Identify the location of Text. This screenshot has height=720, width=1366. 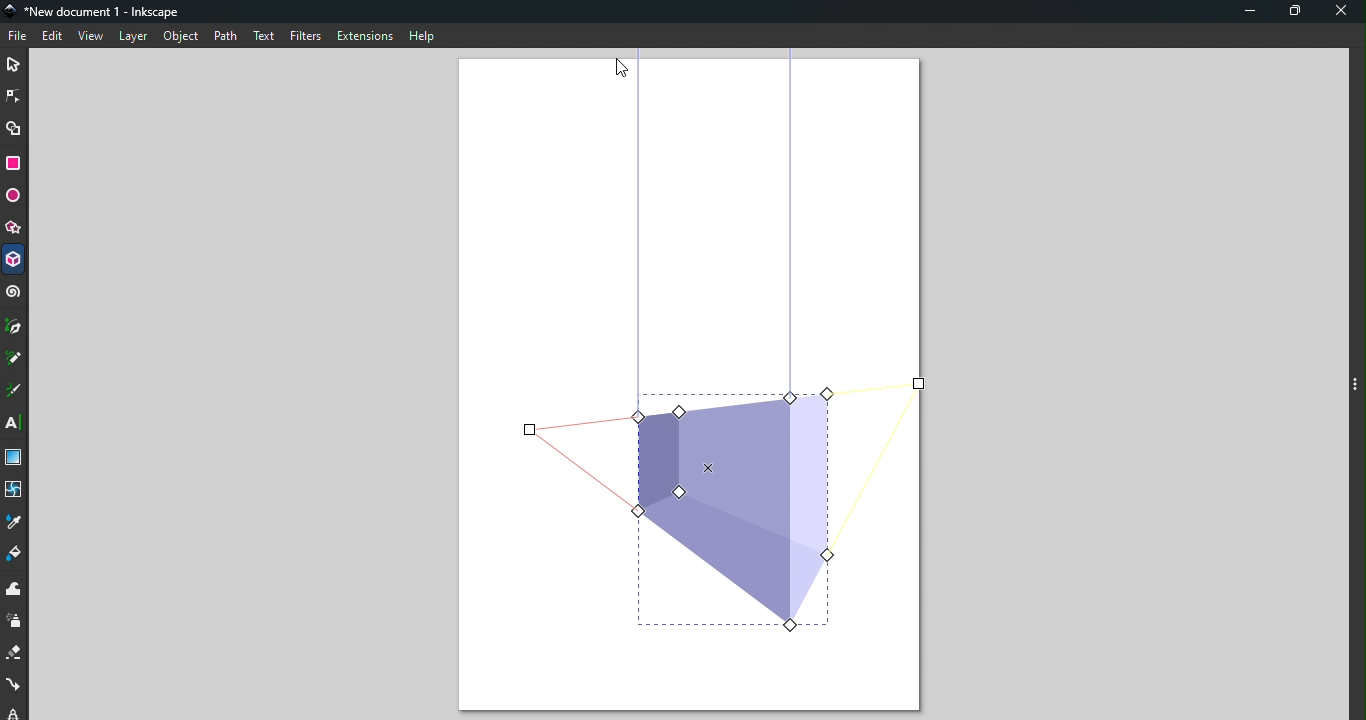
(265, 37).